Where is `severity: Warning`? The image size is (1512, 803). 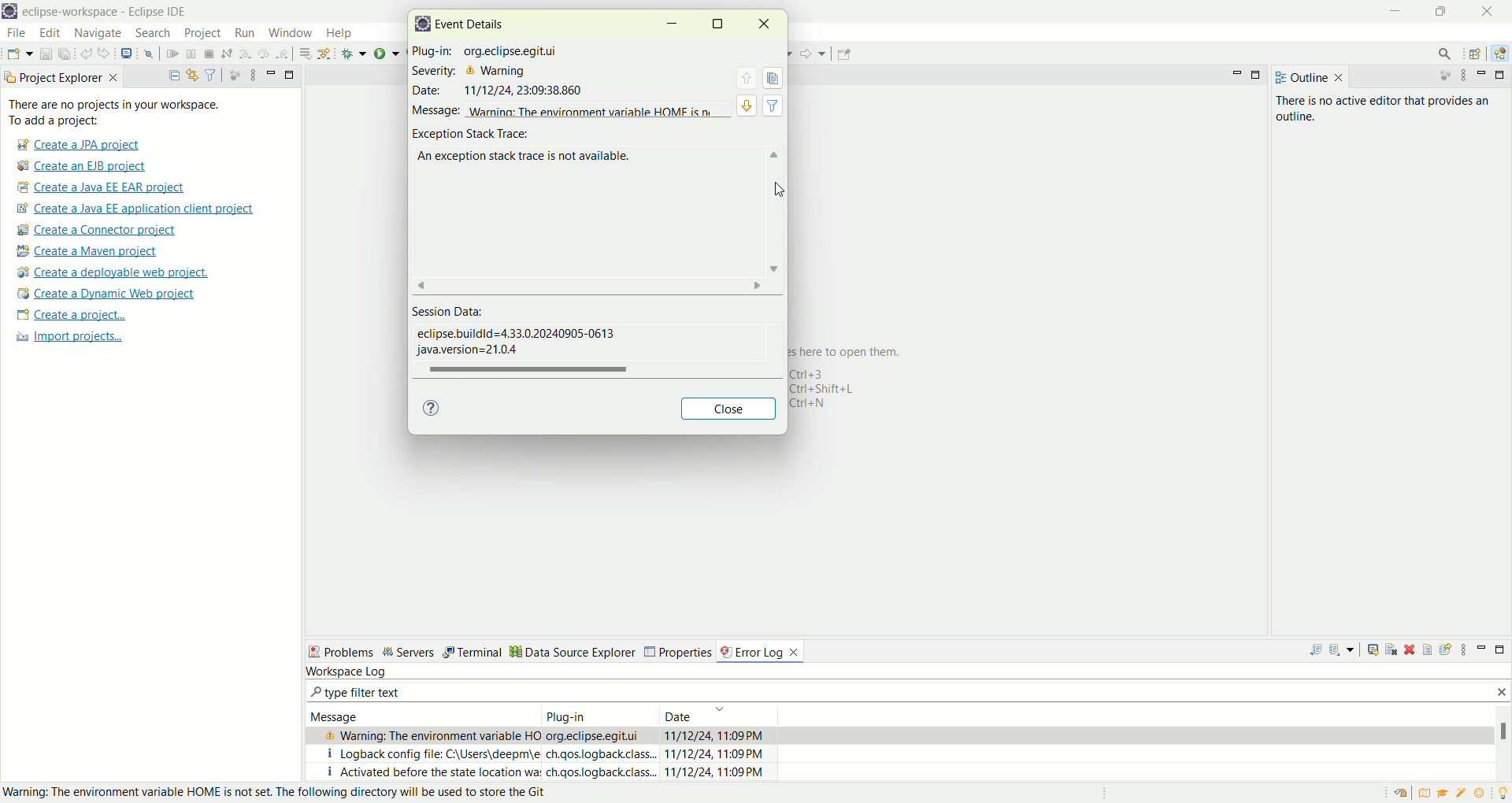 severity: Warning is located at coordinates (473, 72).